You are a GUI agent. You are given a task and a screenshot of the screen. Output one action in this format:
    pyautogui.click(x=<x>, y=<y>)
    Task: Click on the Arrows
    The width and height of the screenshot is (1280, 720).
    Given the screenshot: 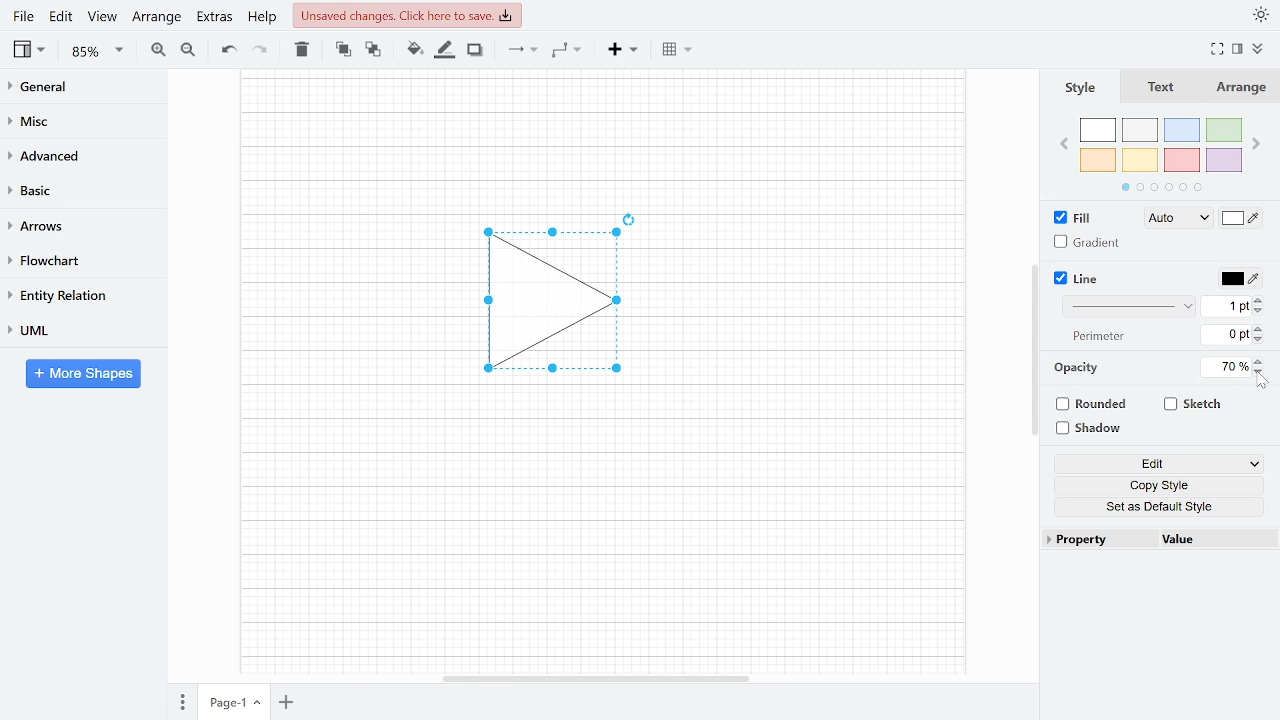 What is the action you would take?
    pyautogui.click(x=74, y=225)
    